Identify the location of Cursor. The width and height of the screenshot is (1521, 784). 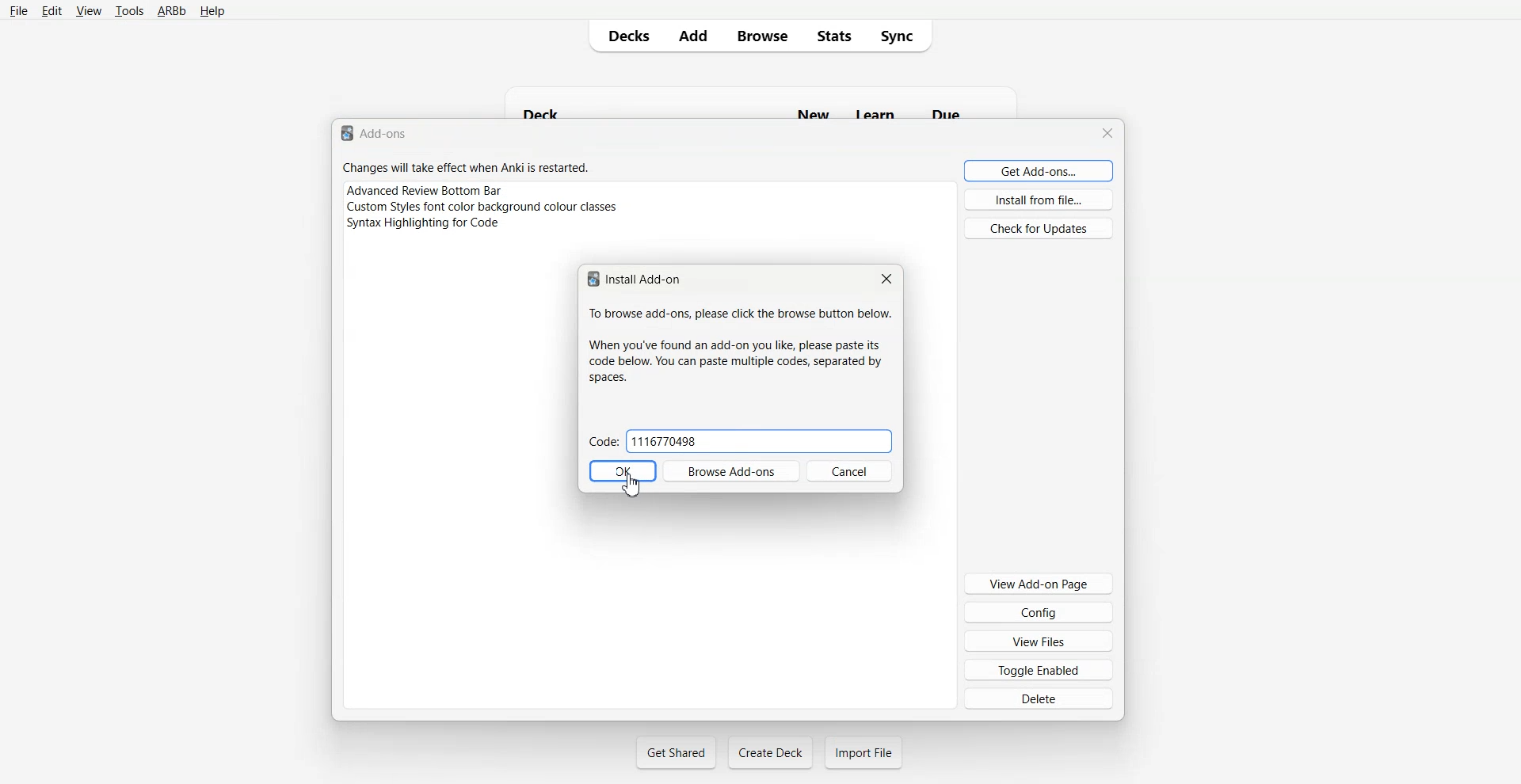
(632, 485).